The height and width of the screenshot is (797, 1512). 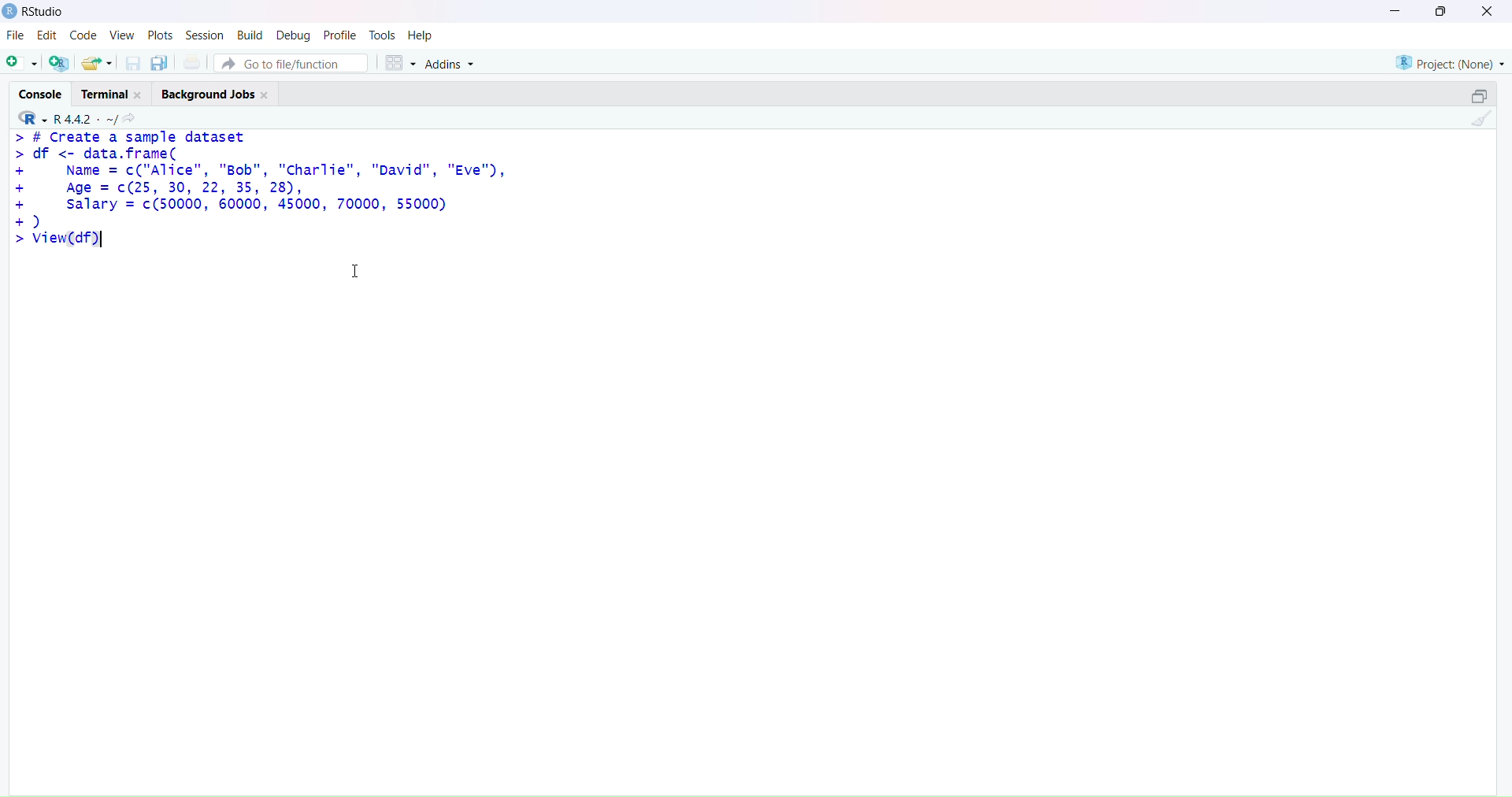 I want to click on tools, so click(x=384, y=34).